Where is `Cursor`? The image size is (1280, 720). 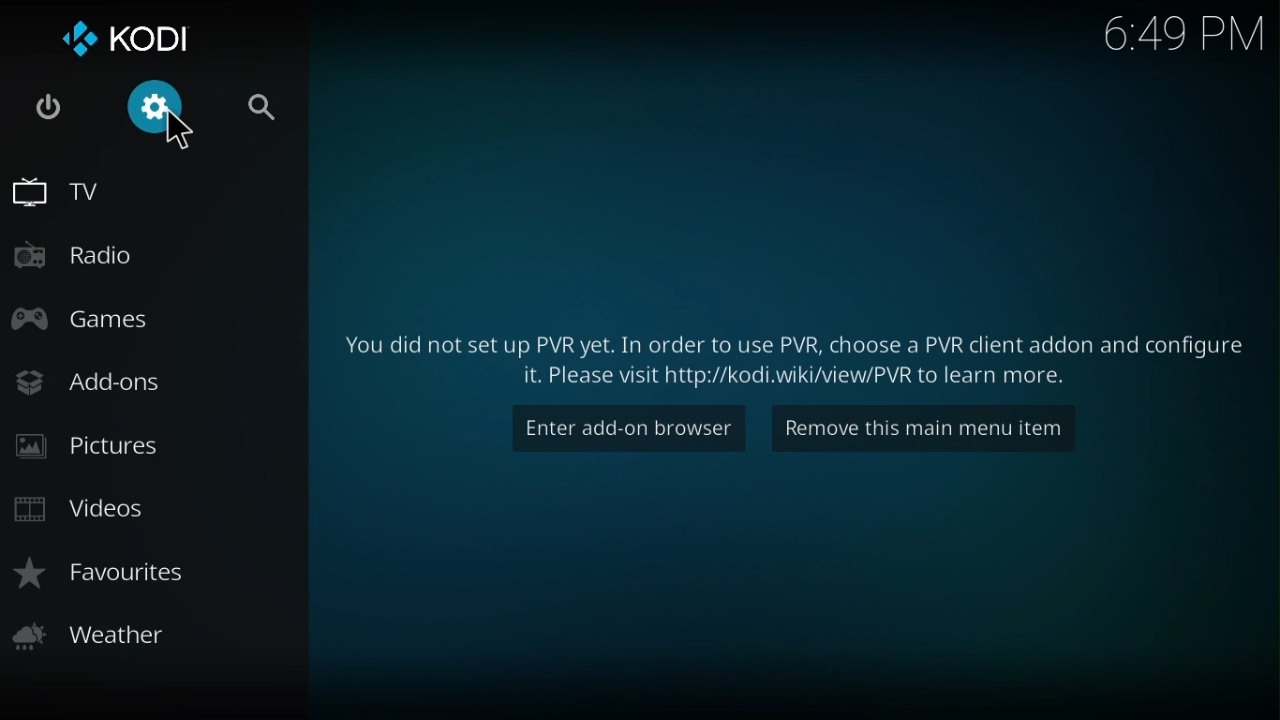
Cursor is located at coordinates (176, 130).